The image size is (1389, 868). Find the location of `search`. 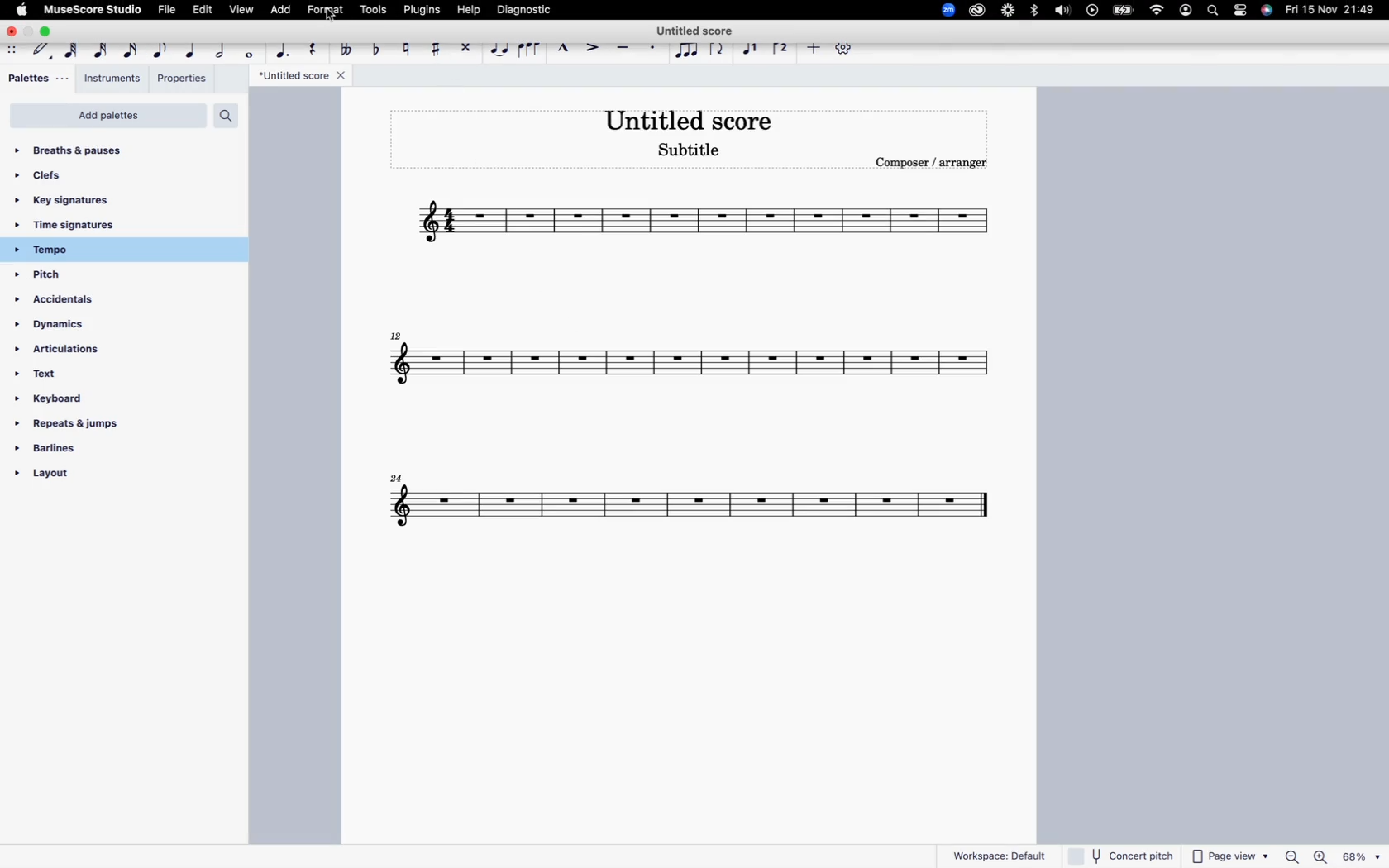

search is located at coordinates (225, 115).